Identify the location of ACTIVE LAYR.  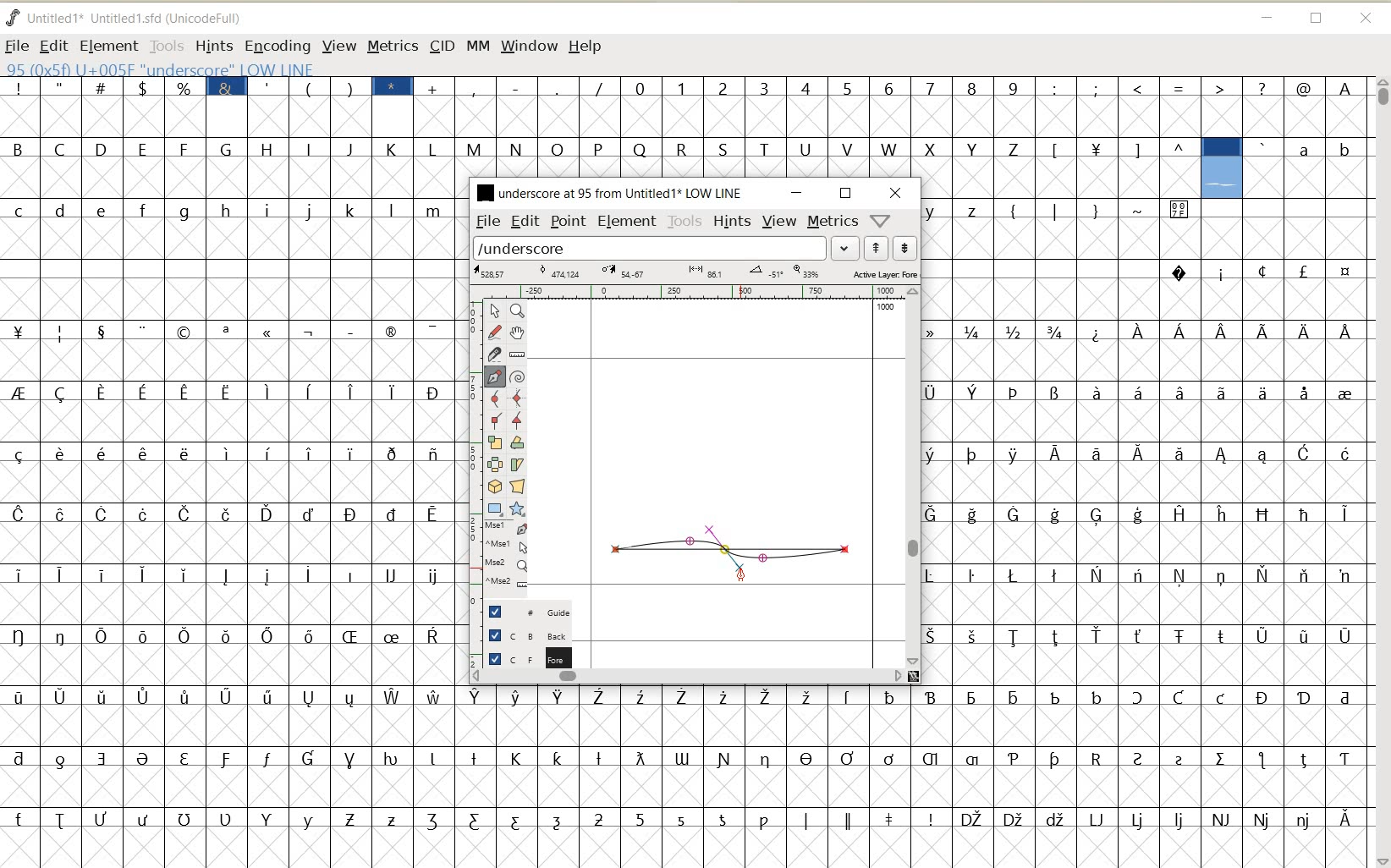
(695, 272).